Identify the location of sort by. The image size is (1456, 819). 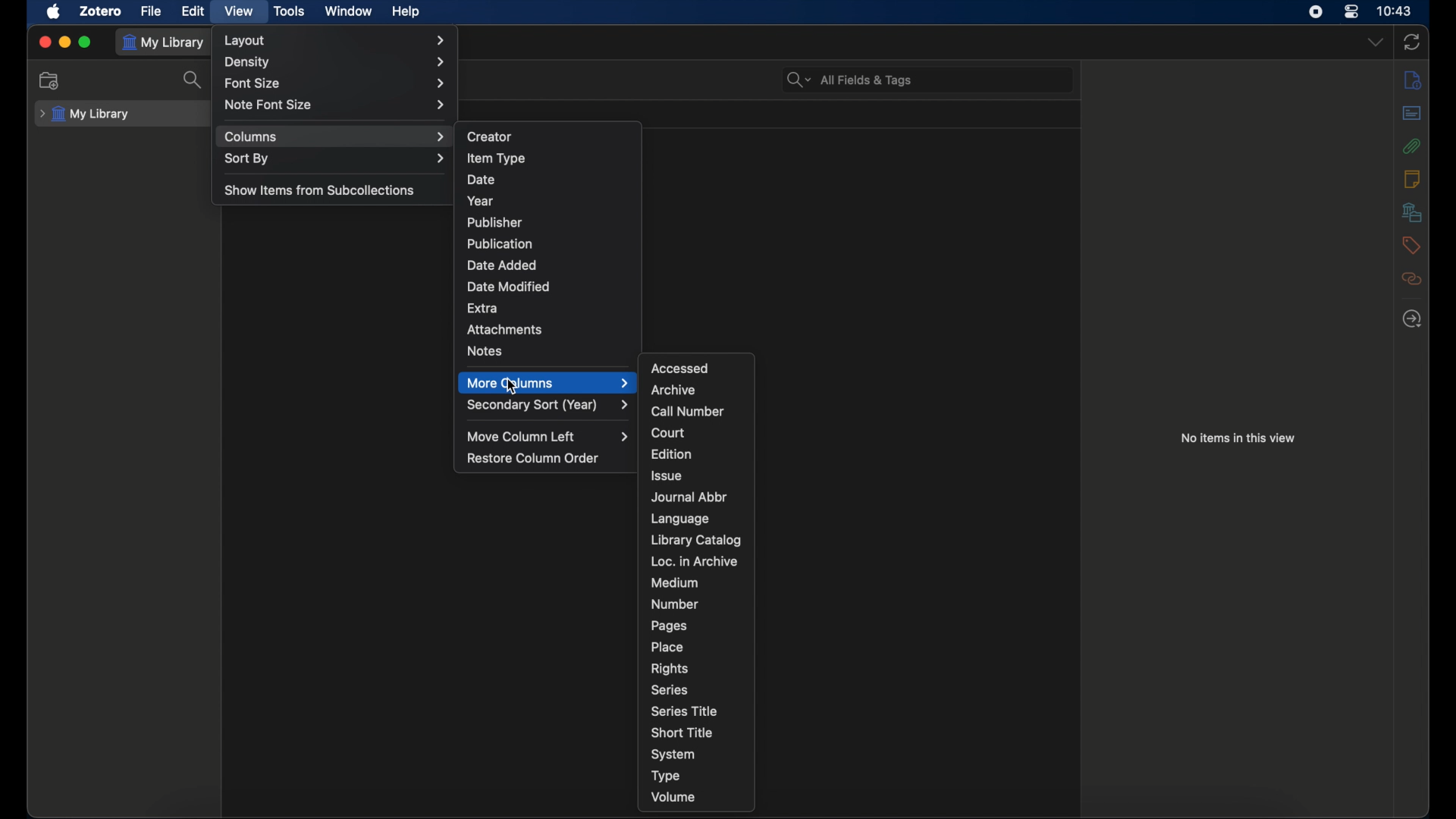
(335, 159).